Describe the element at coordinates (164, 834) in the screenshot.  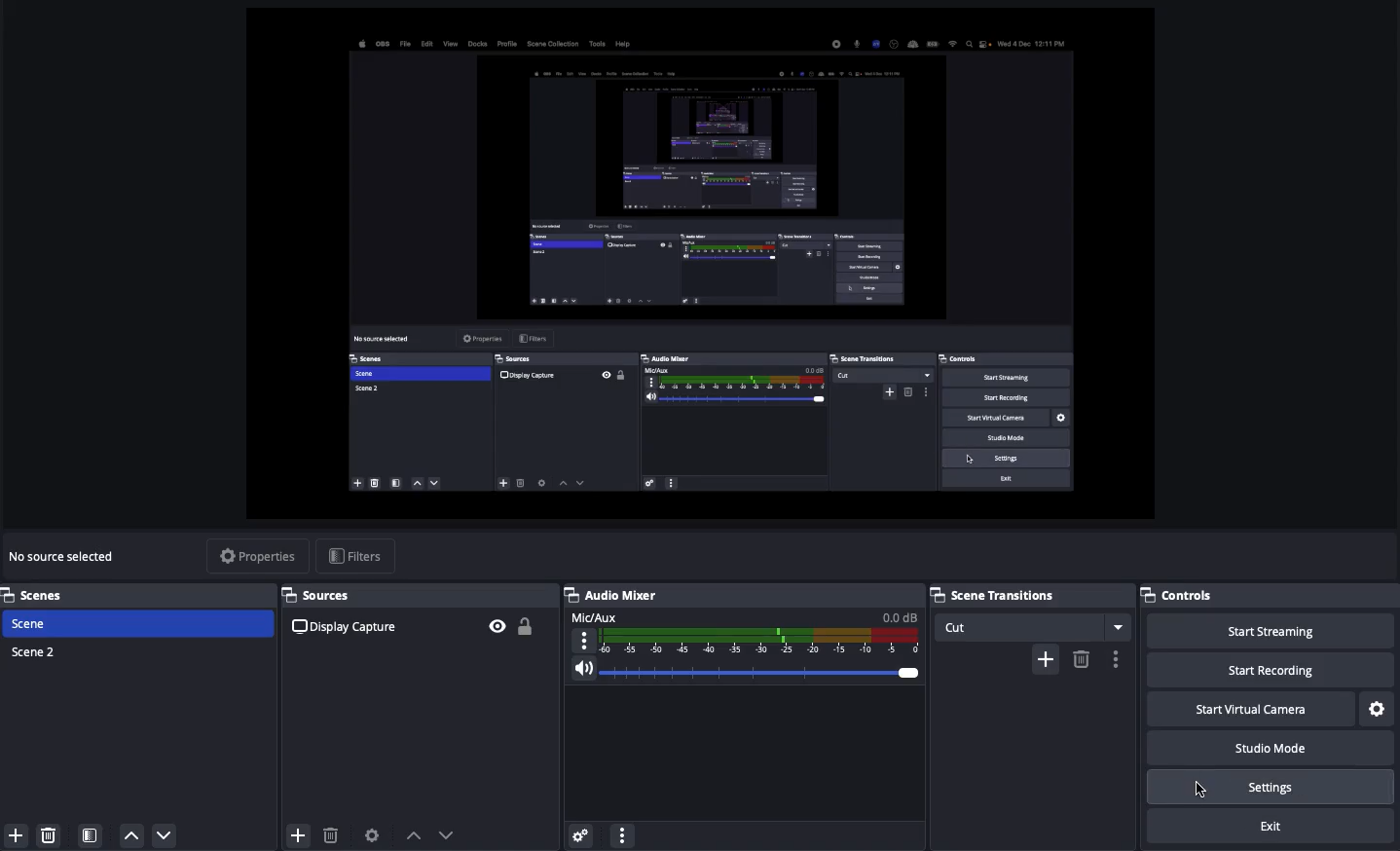
I see `Move down` at that location.